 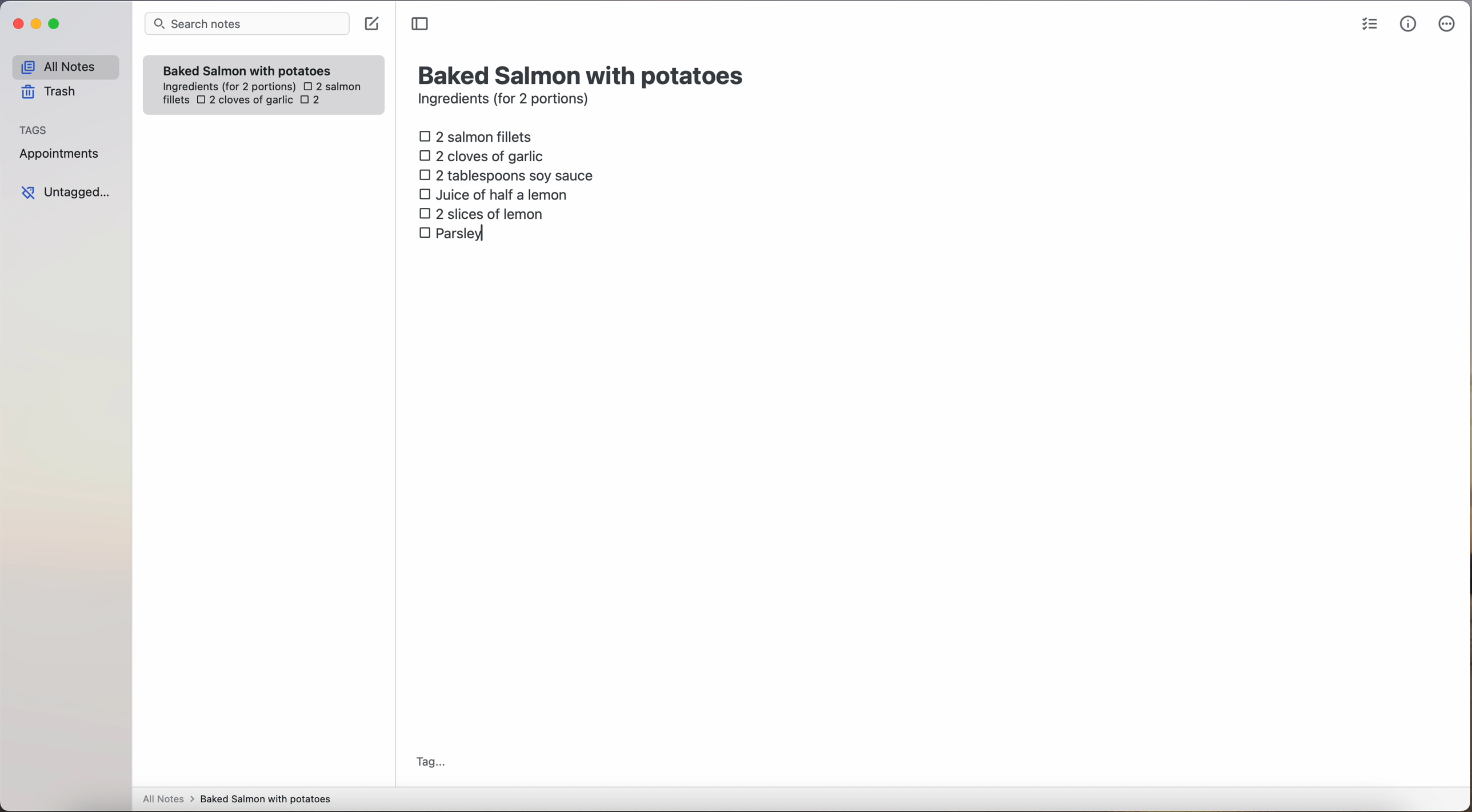 What do you see at coordinates (421, 25) in the screenshot?
I see `toggle sidebar` at bounding box center [421, 25].